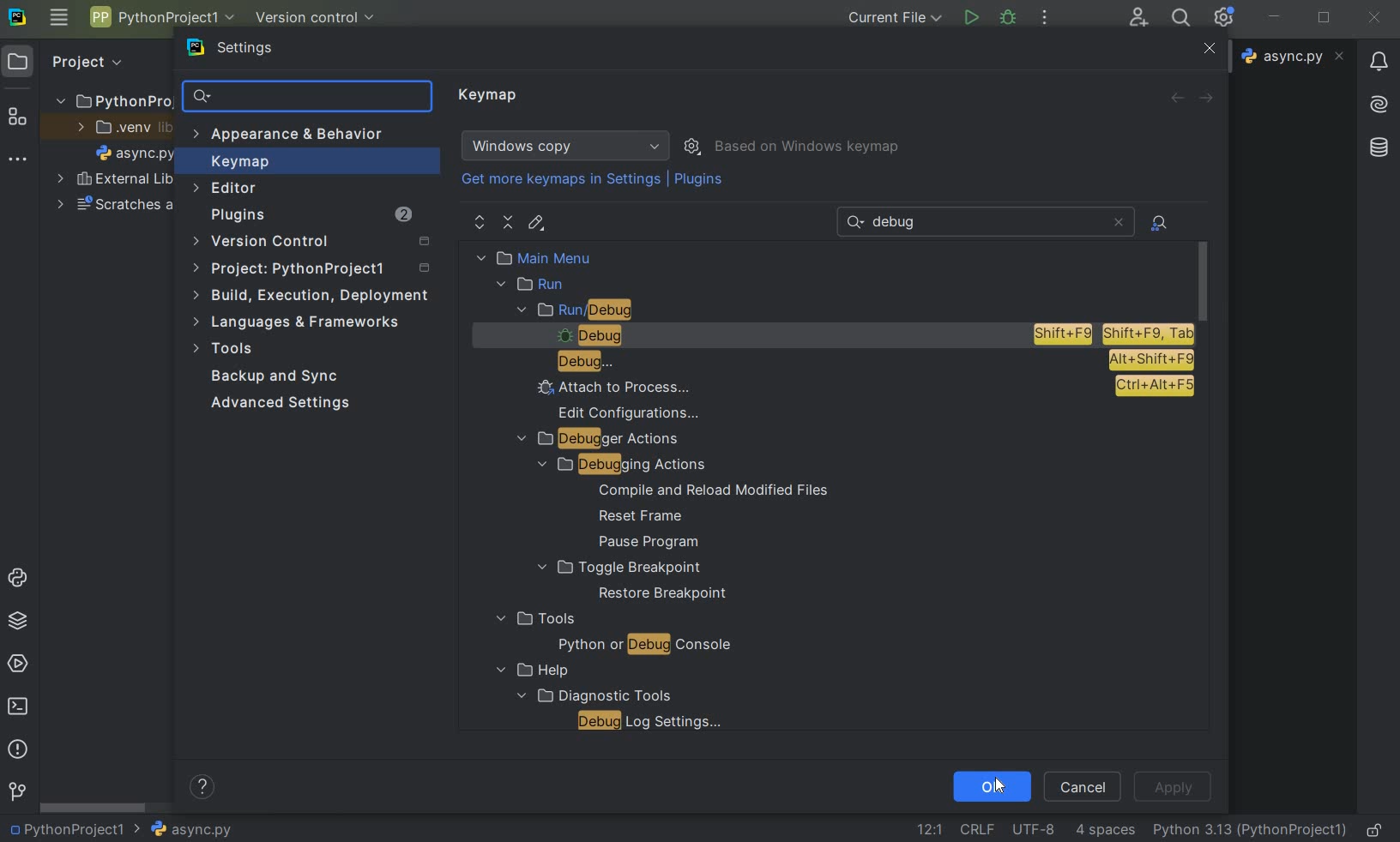 The image size is (1400, 842). What do you see at coordinates (20, 706) in the screenshot?
I see `terminal` at bounding box center [20, 706].